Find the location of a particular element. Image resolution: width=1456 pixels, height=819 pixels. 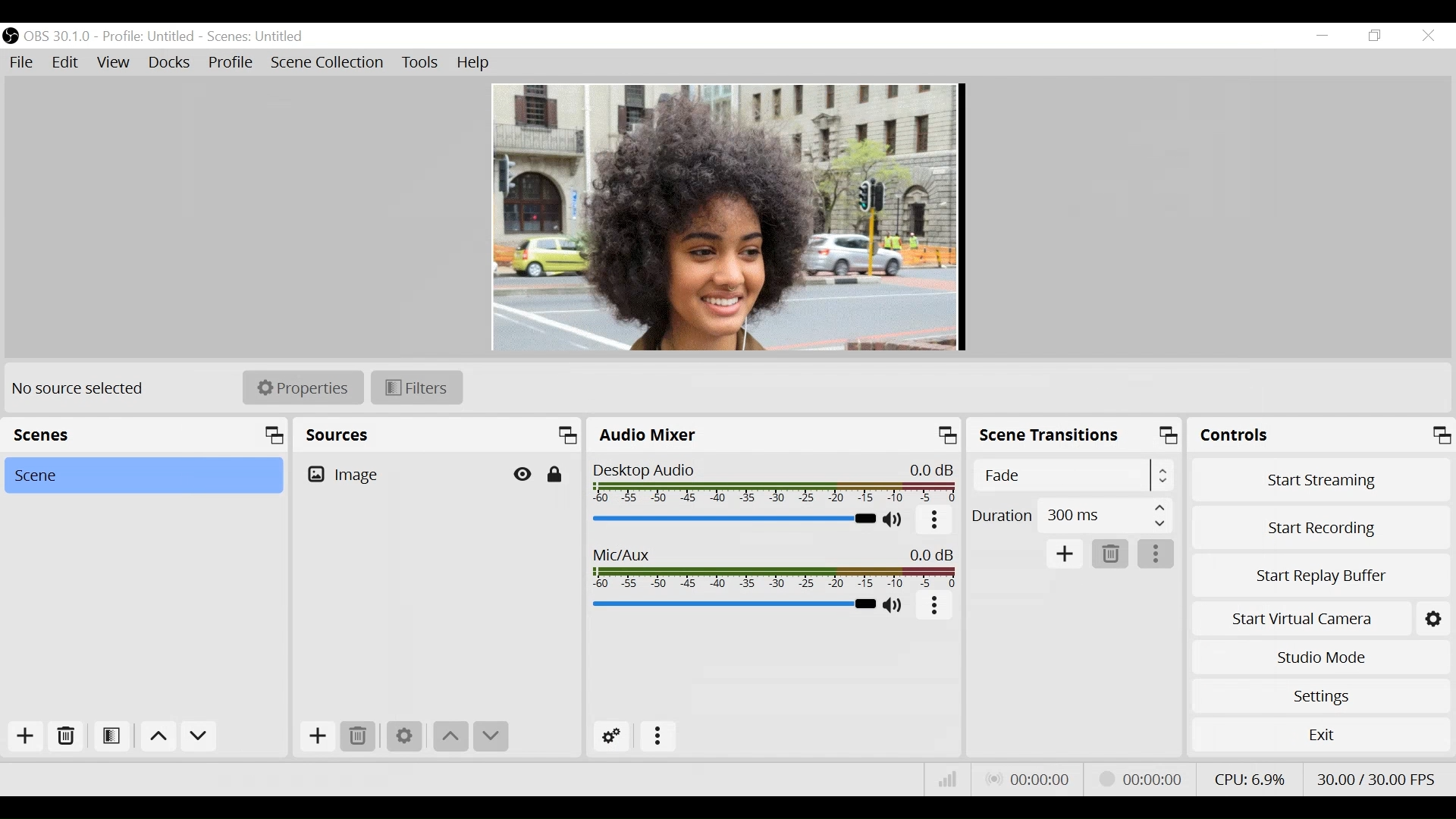

Mic/Aux is located at coordinates (775, 569).